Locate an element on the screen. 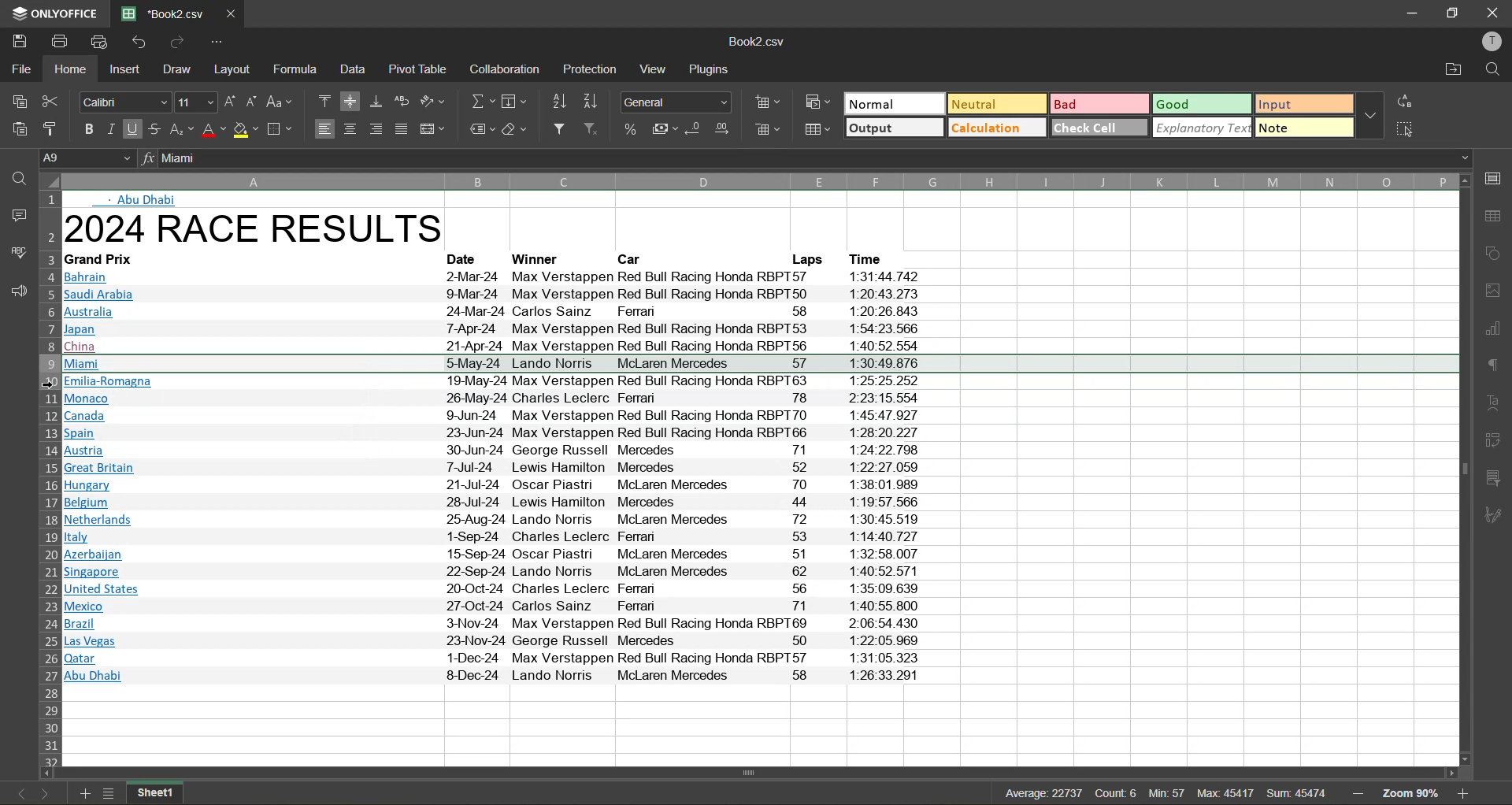 Image resolution: width=1512 pixels, height=805 pixels. number format is located at coordinates (673, 102).